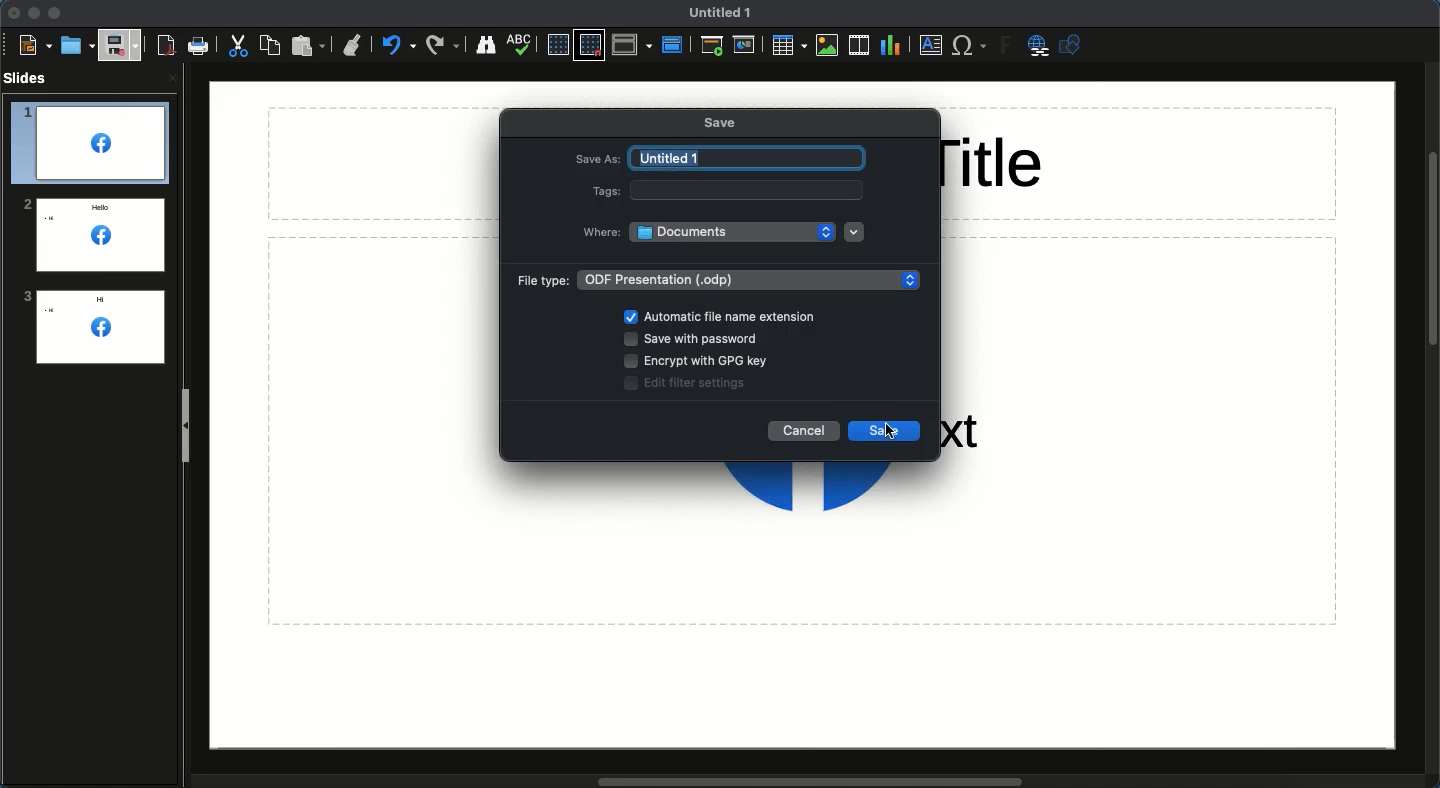  What do you see at coordinates (310, 46) in the screenshot?
I see `Paste` at bounding box center [310, 46].